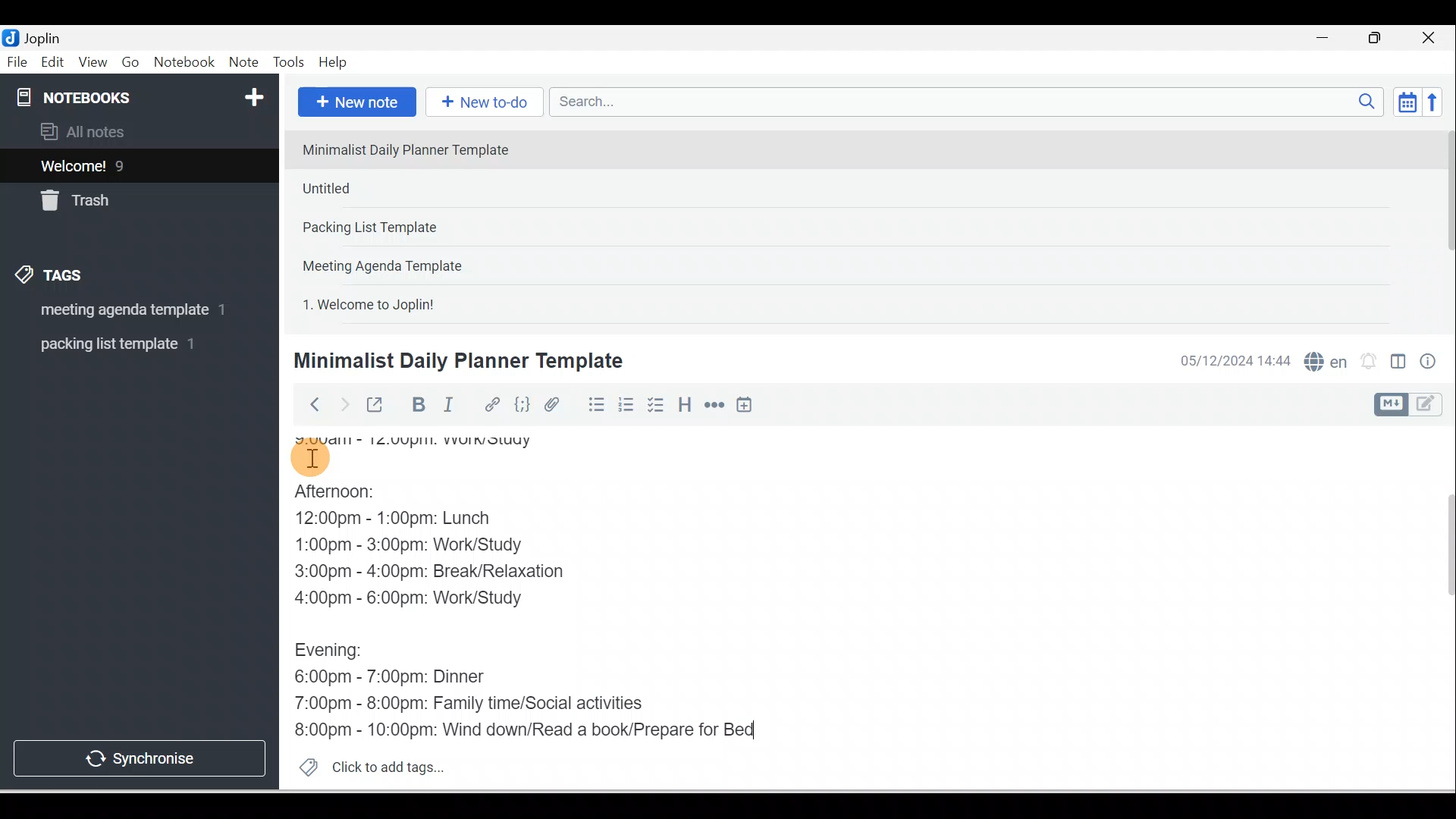 Image resolution: width=1456 pixels, height=819 pixels. What do you see at coordinates (438, 437) in the screenshot?
I see `9:00am - 12:00pm: Work/Study` at bounding box center [438, 437].